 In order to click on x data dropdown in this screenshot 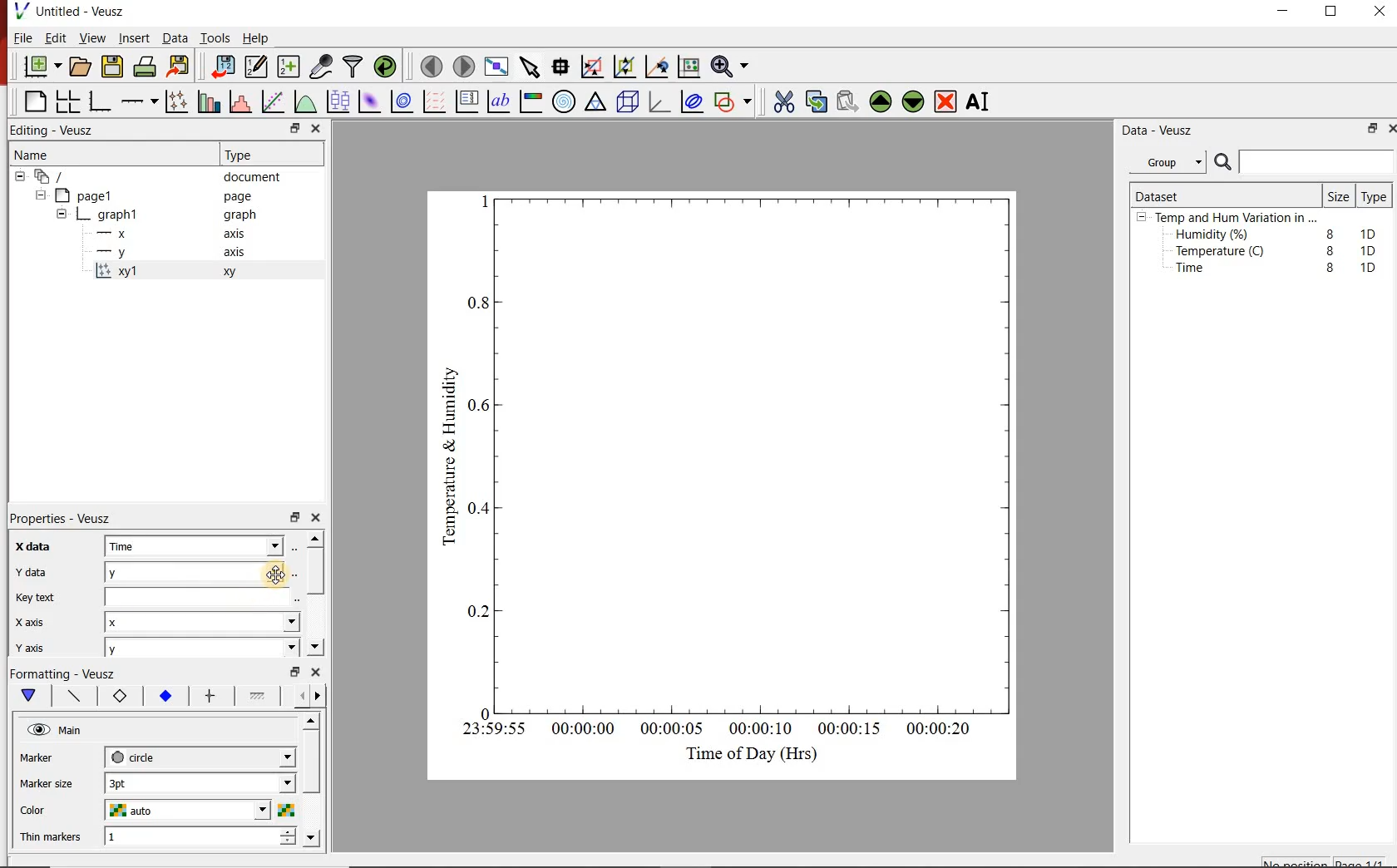, I will do `click(250, 545)`.